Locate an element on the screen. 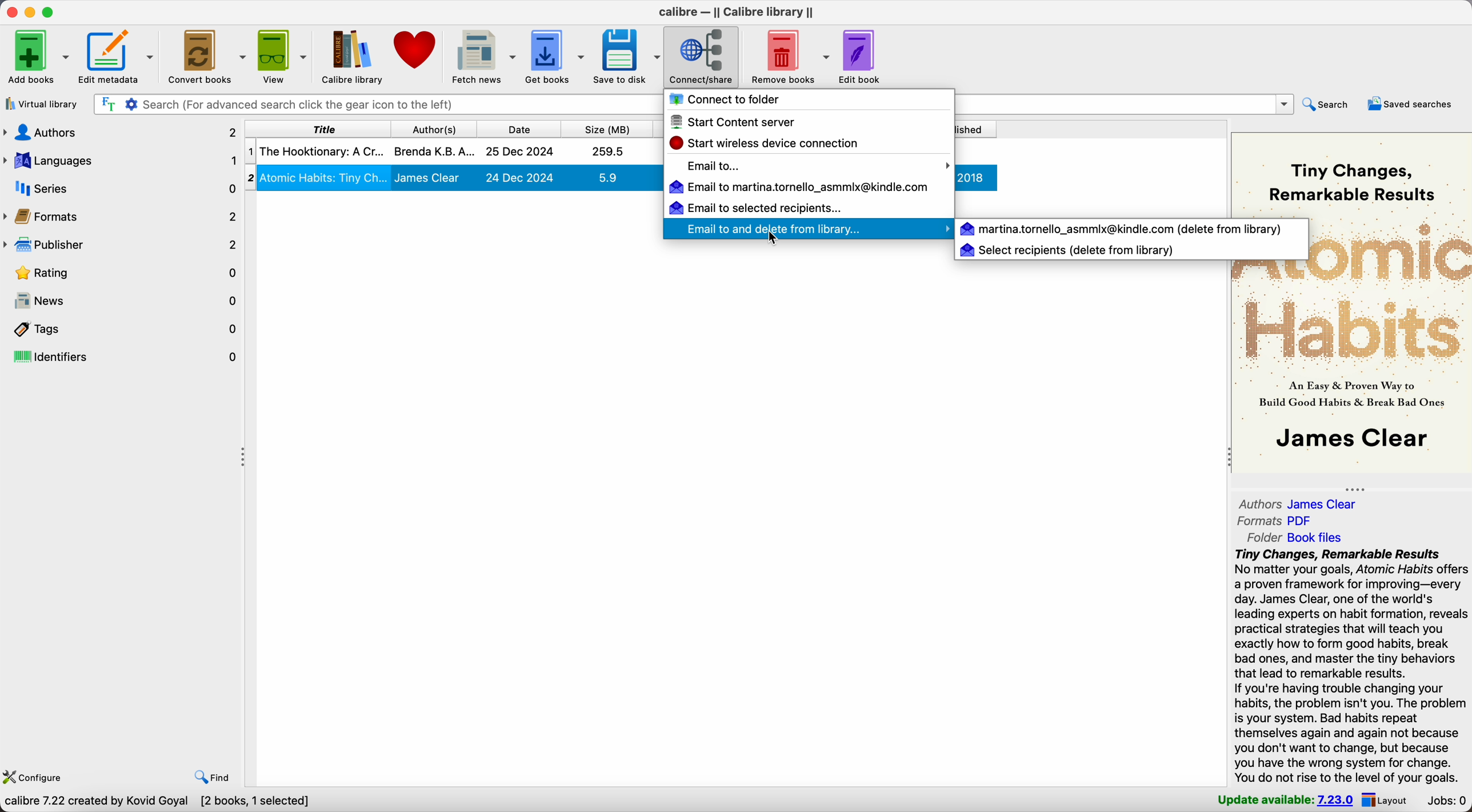  formats is located at coordinates (122, 216).